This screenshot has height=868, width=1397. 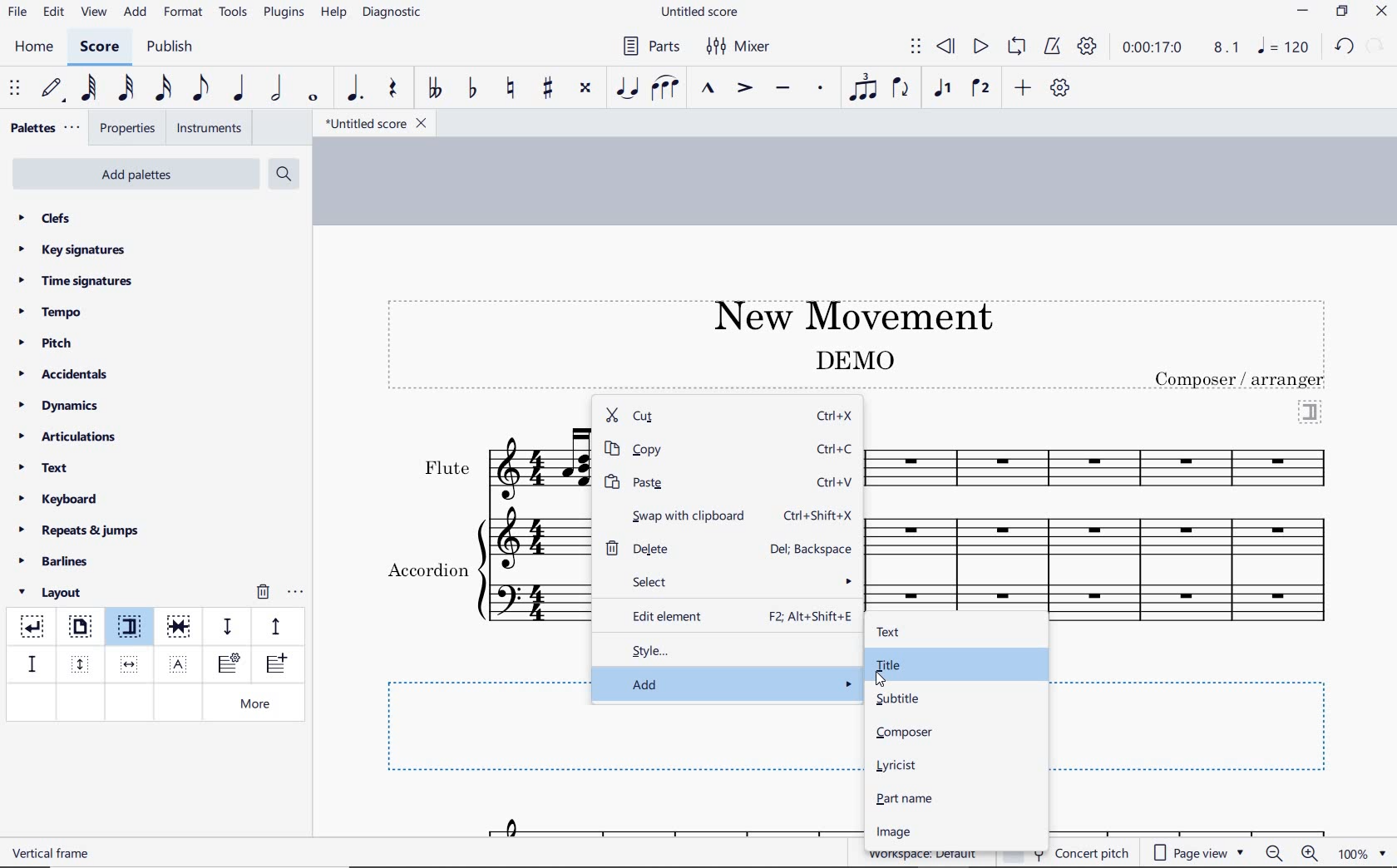 What do you see at coordinates (59, 562) in the screenshot?
I see `barlines` at bounding box center [59, 562].